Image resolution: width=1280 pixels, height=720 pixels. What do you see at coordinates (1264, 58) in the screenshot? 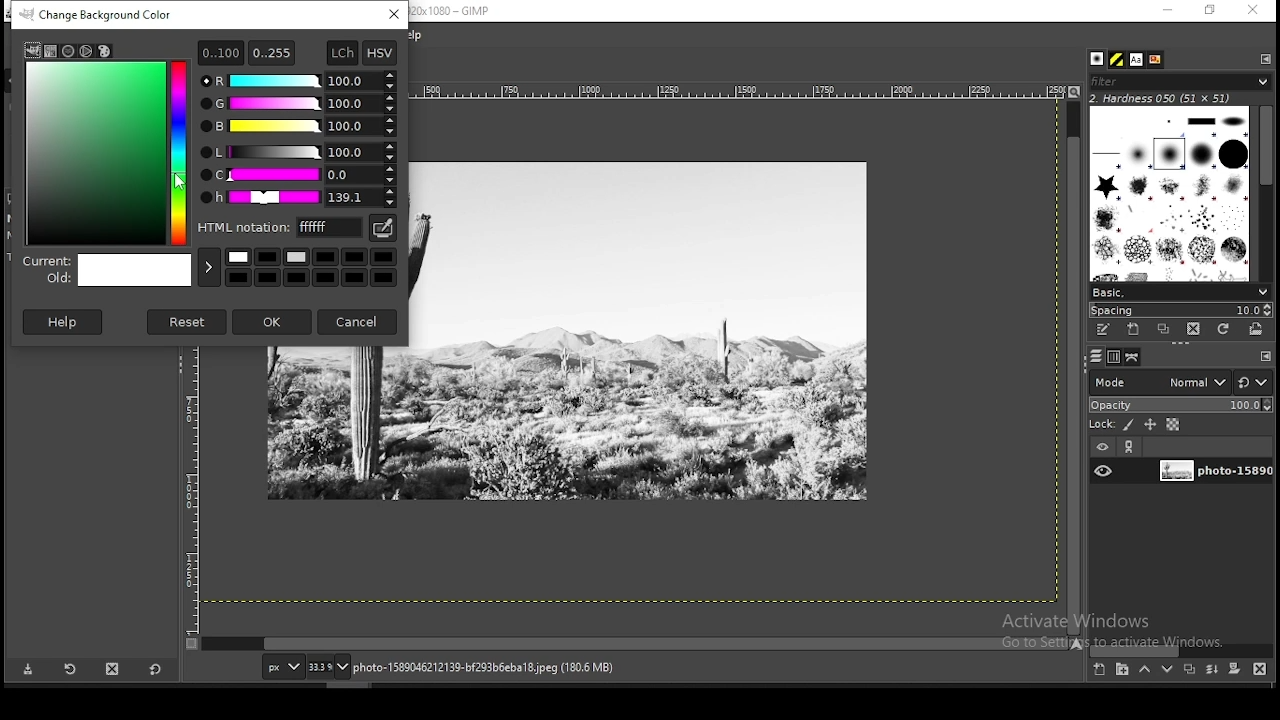
I see `configure this pane` at bounding box center [1264, 58].